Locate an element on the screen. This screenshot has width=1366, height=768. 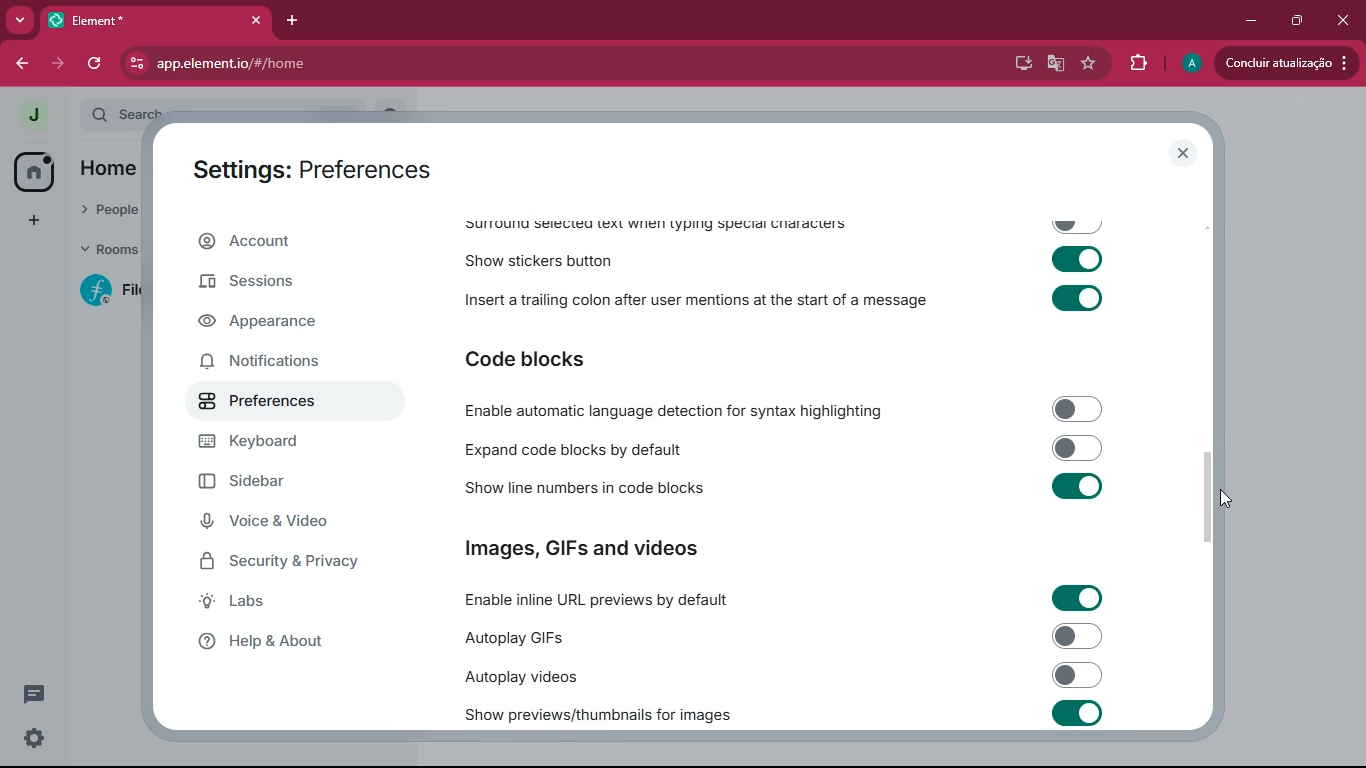
Autoplay GIFs is located at coordinates (783, 637).